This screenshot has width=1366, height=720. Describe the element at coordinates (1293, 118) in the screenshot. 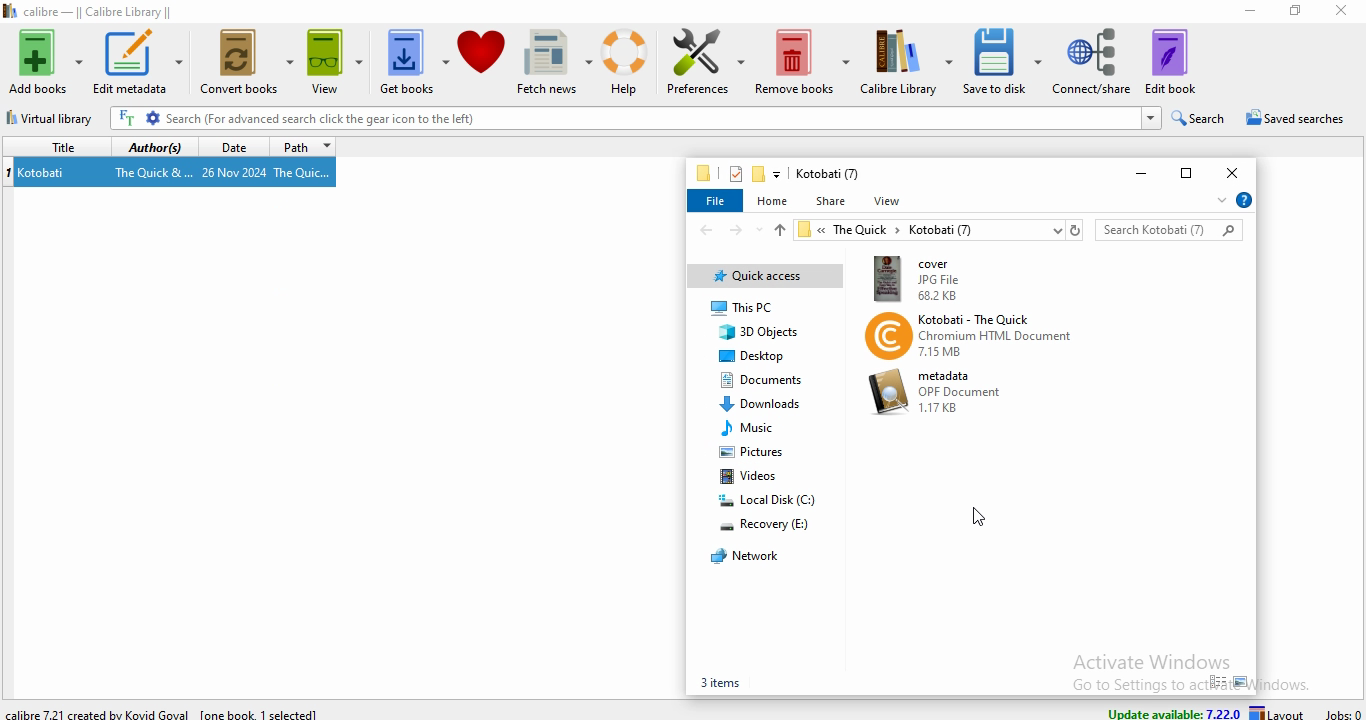

I see ` saved searches` at that location.